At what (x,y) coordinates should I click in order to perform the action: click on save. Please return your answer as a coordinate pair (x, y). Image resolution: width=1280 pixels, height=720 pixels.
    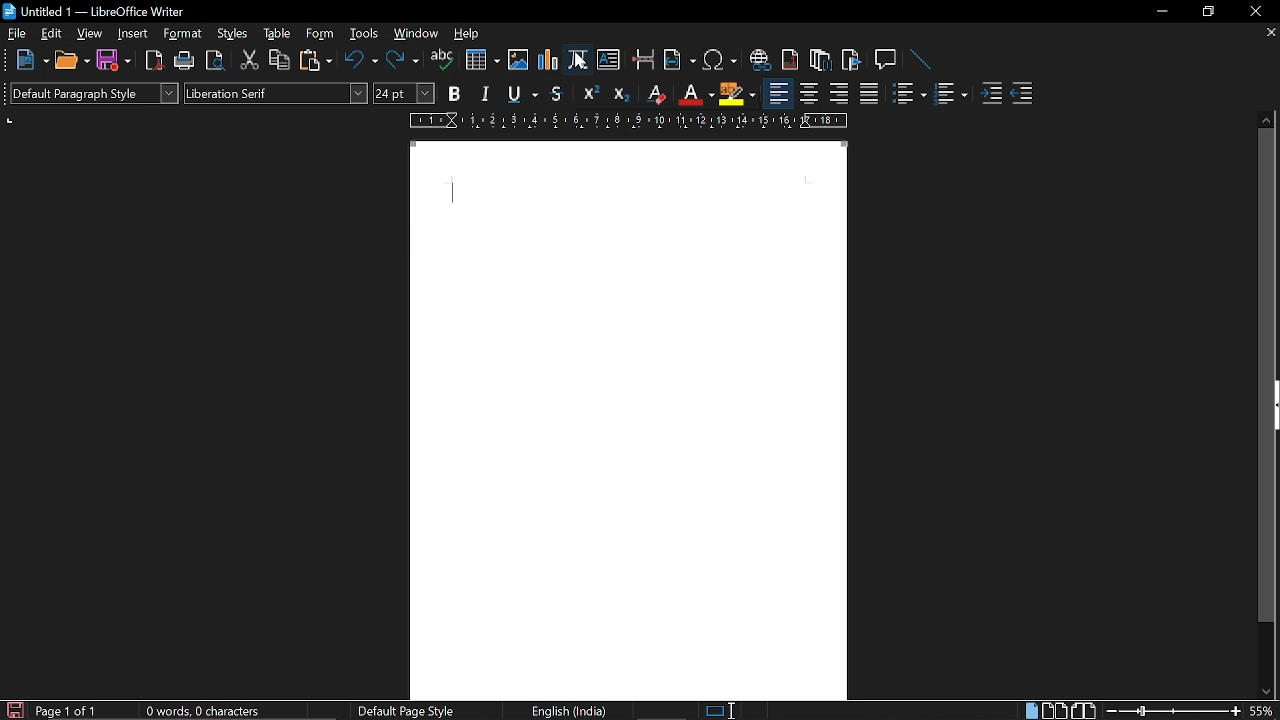
    Looking at the image, I should click on (14, 709).